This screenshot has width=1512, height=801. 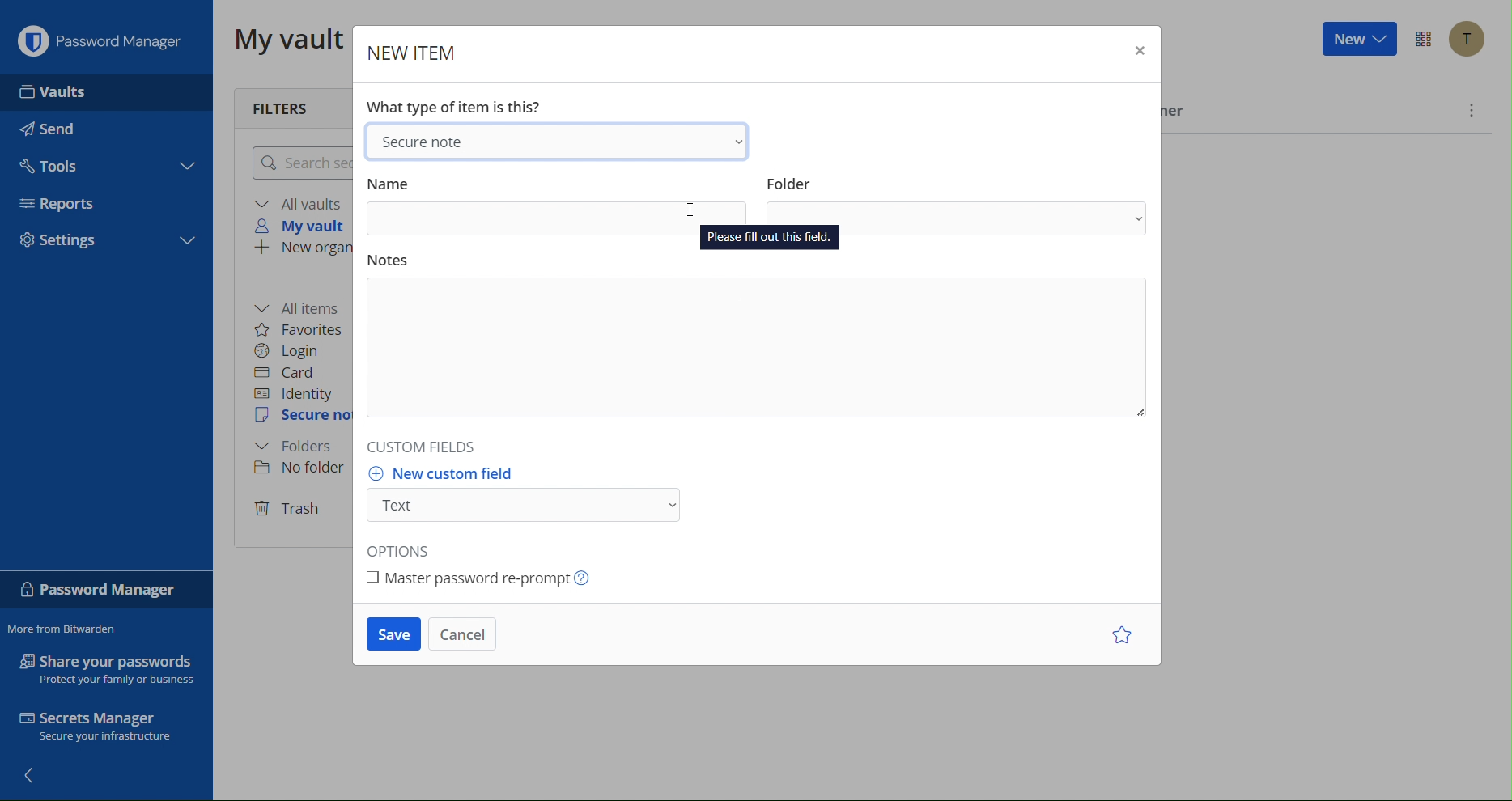 What do you see at coordinates (560, 141) in the screenshot?
I see `Secure Note` at bounding box center [560, 141].